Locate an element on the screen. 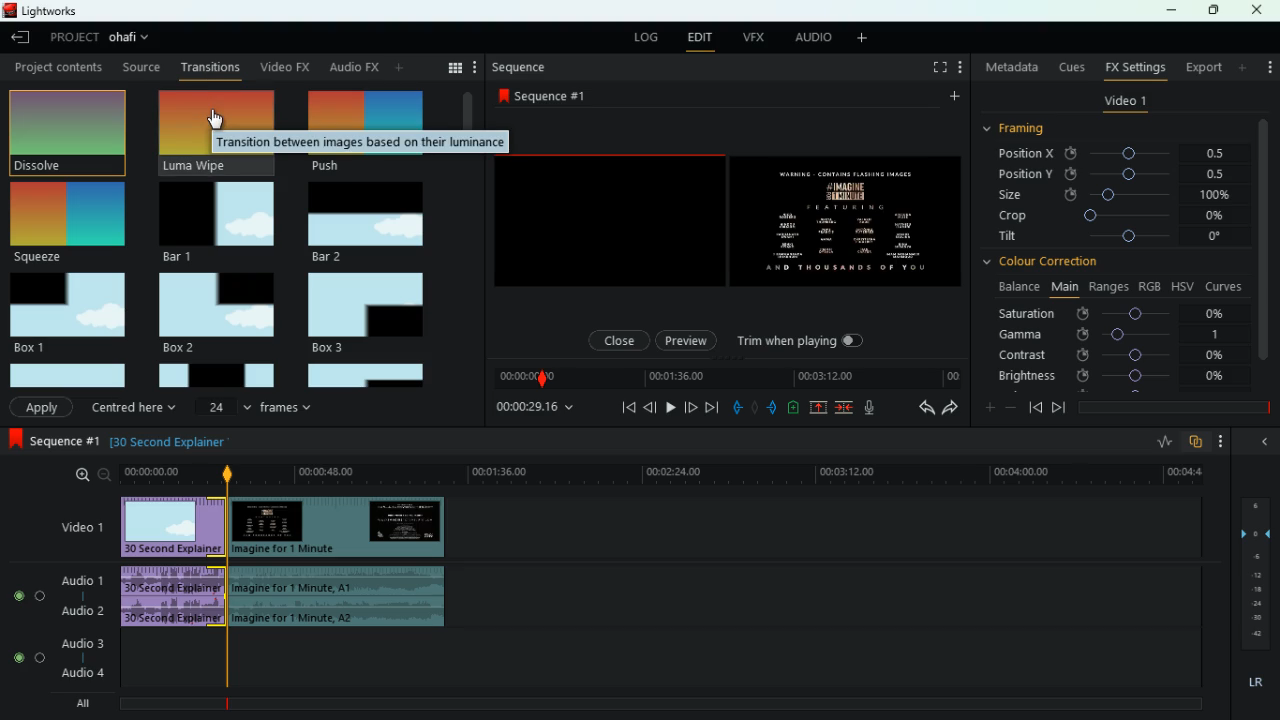 Image resolution: width=1280 pixels, height=720 pixels. change is located at coordinates (374, 68).